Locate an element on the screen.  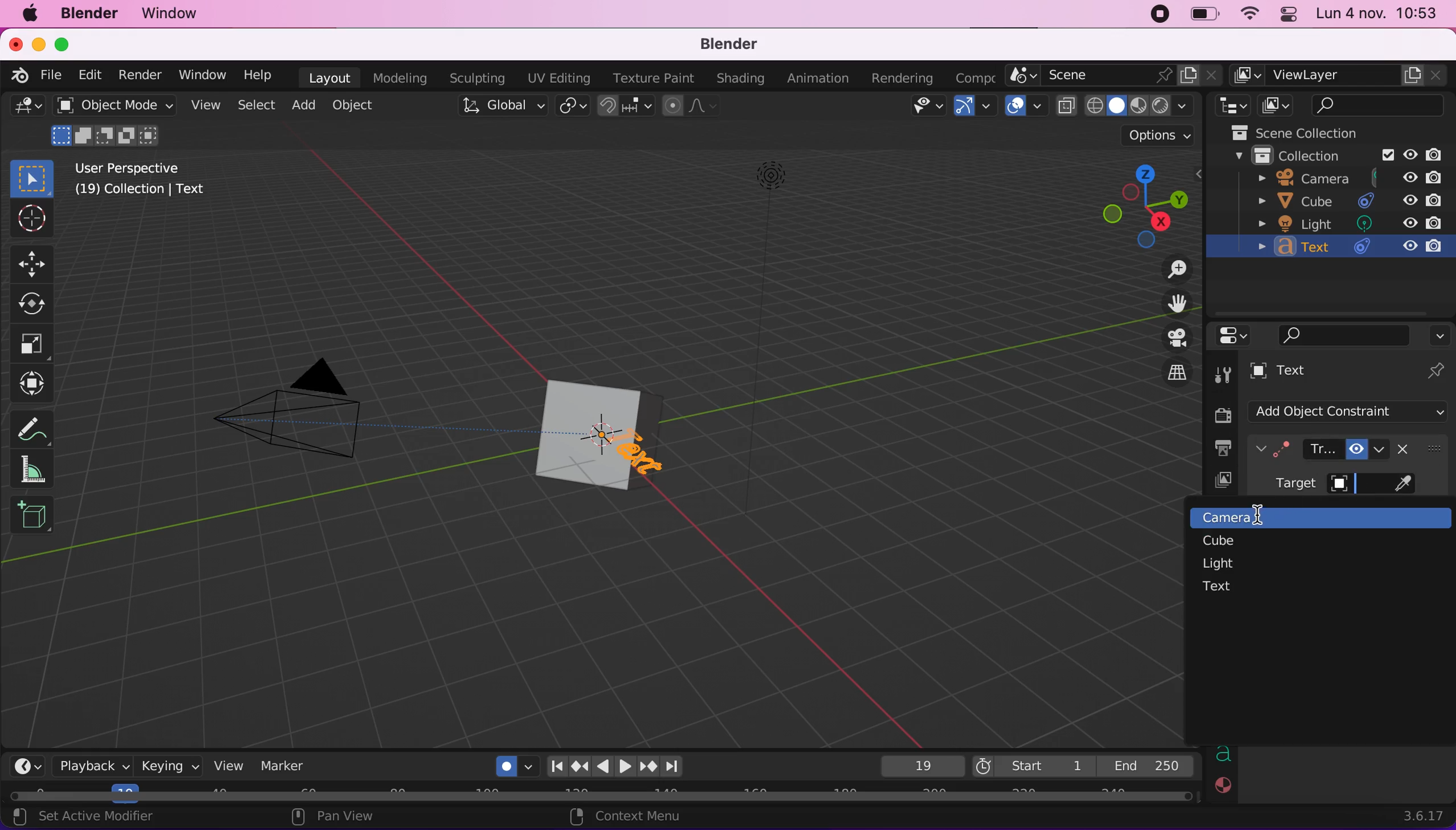
end 250 is located at coordinates (1147, 765).